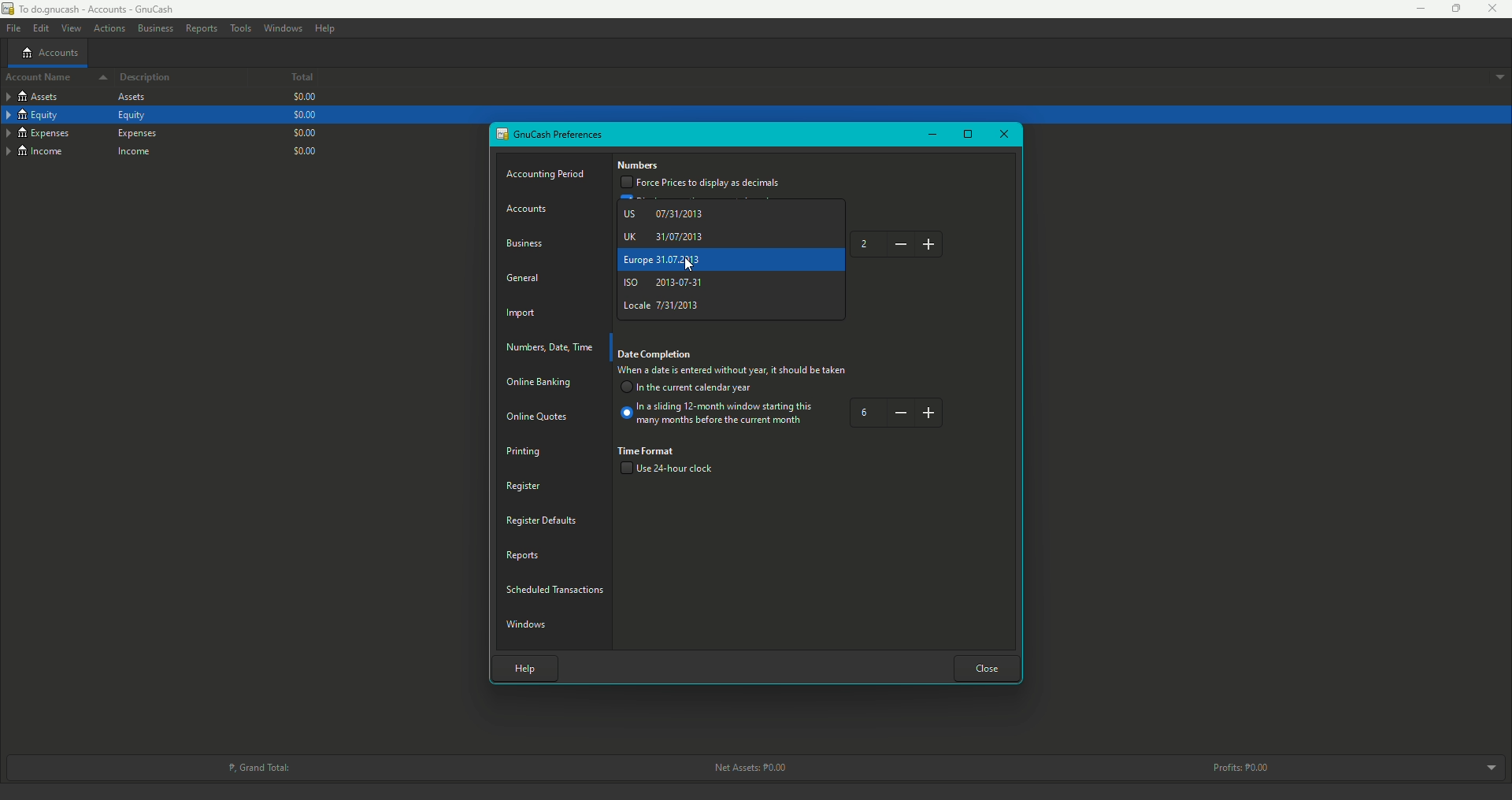 The image size is (1512, 800). Describe the element at coordinates (648, 450) in the screenshot. I see `Time Format` at that location.